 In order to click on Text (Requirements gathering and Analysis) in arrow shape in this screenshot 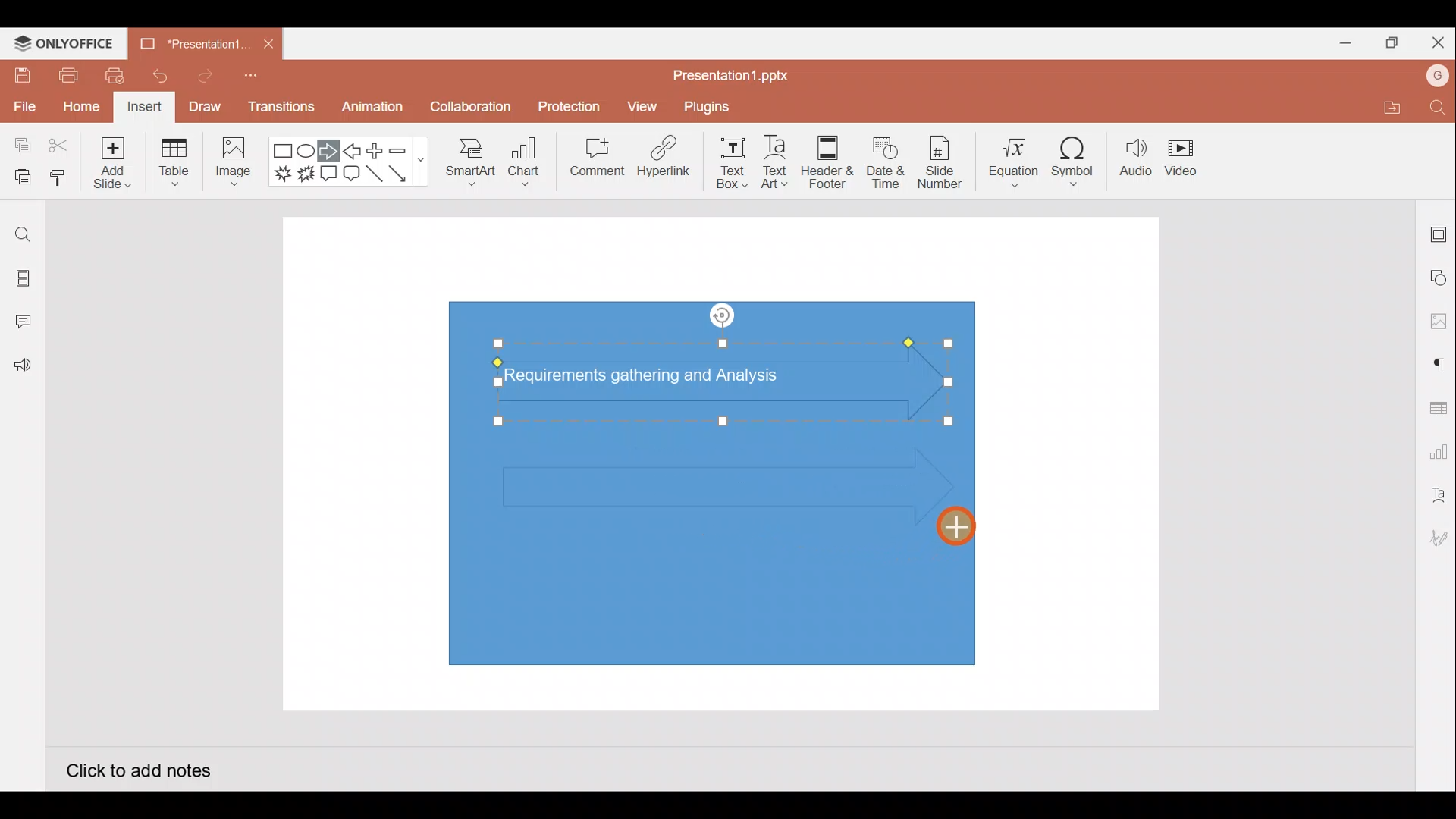, I will do `click(654, 378)`.